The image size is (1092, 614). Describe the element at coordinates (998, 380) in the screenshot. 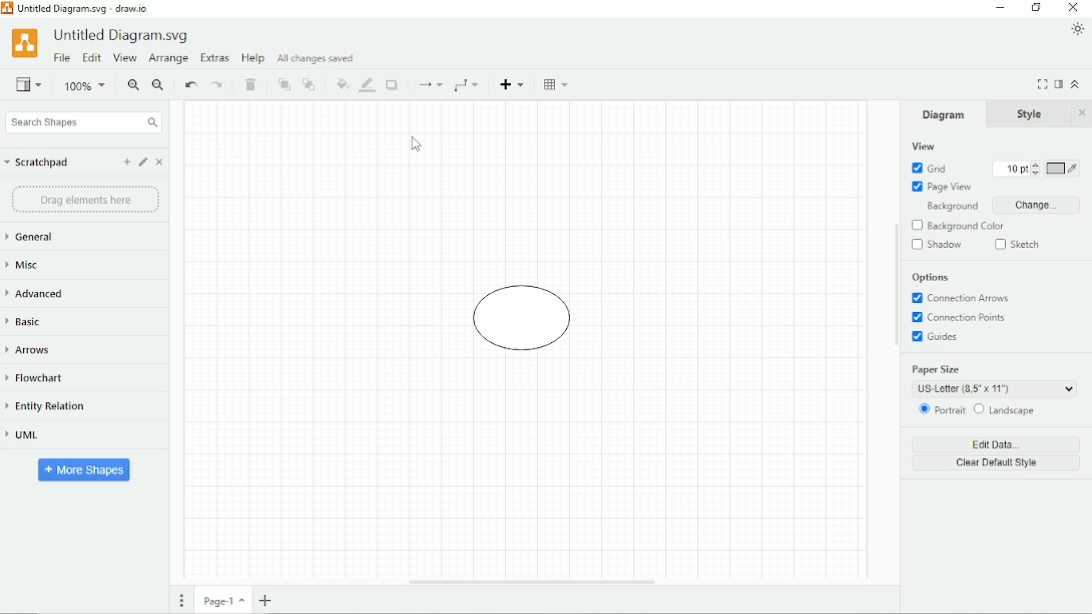

I see `Paper Size: US Letter (8.5' x 11')` at that location.